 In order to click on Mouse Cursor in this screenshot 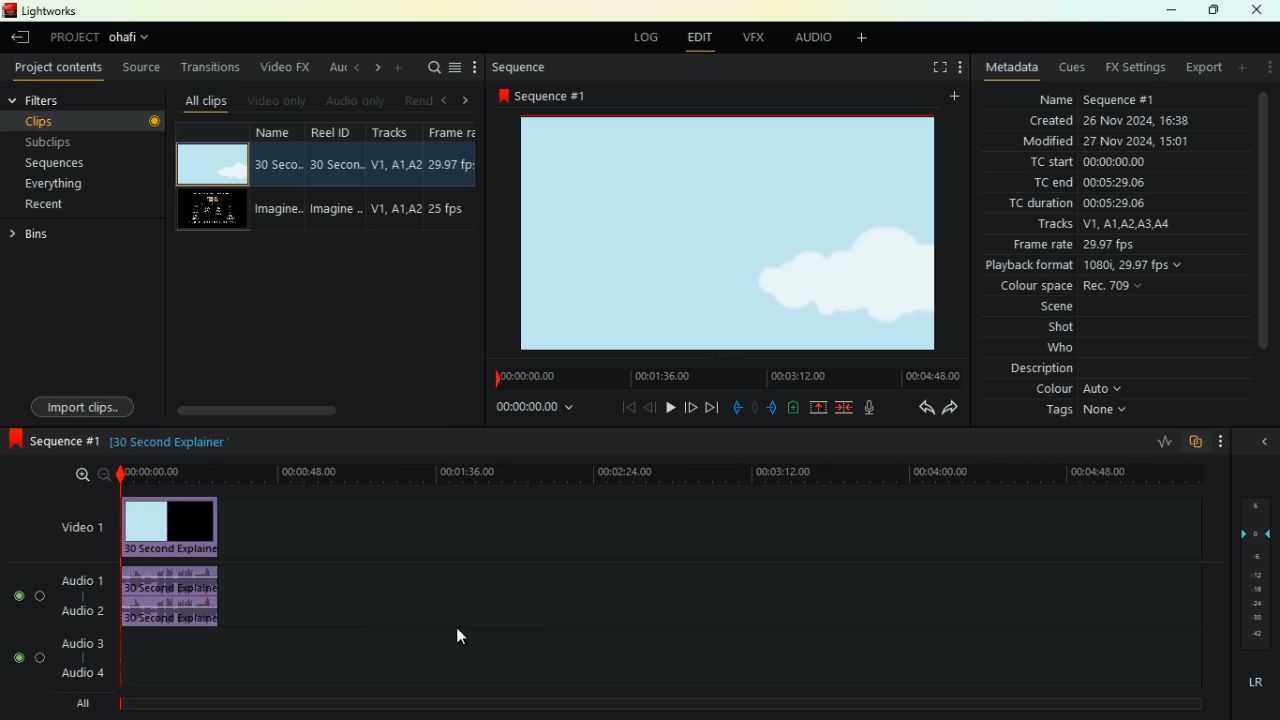, I will do `click(462, 639)`.